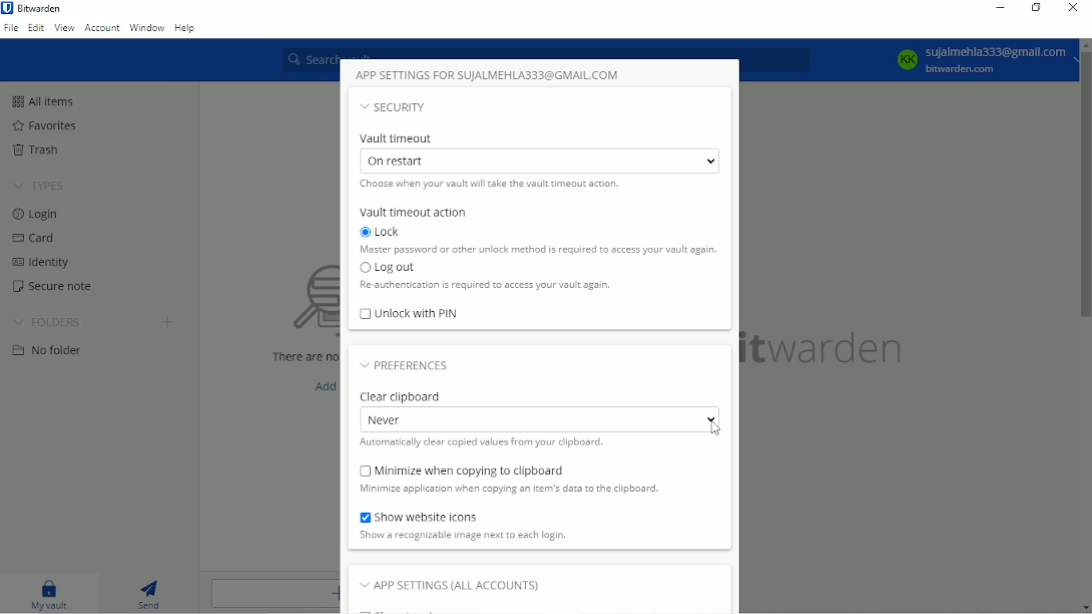  I want to click on App settings (all accounts), so click(448, 585).